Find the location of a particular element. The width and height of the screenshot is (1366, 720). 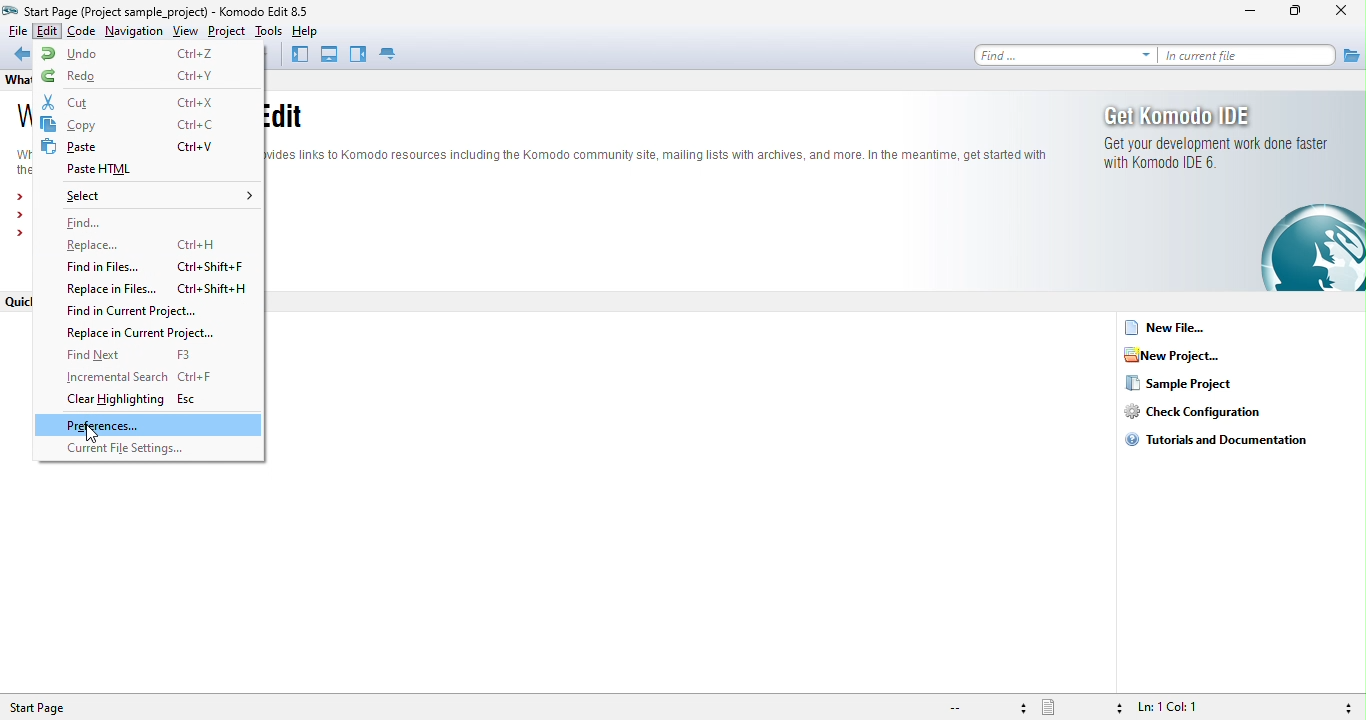

get your development work done faster with komodo ide 6 is located at coordinates (1220, 158).